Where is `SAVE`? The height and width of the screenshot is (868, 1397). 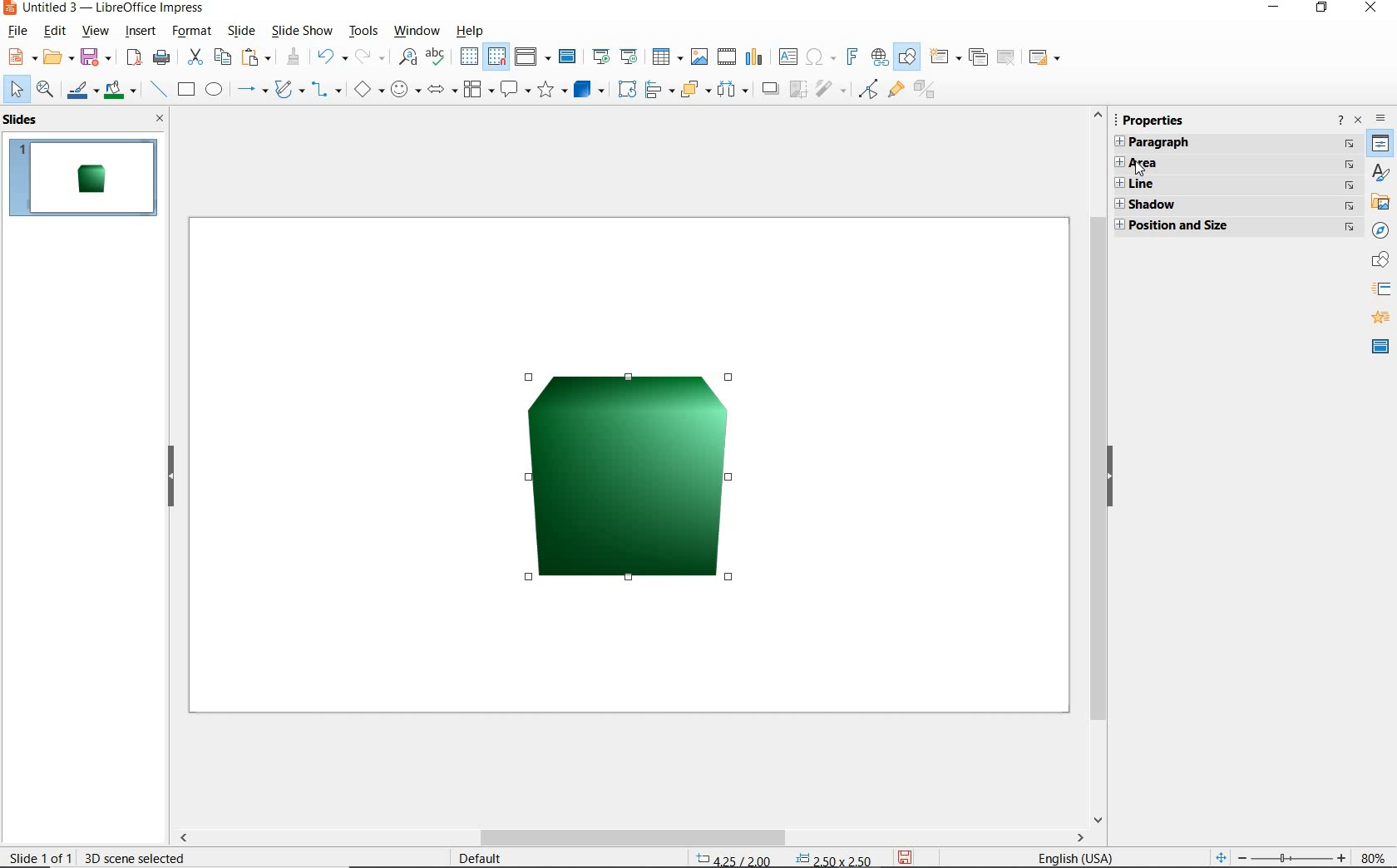
SAVE is located at coordinates (910, 856).